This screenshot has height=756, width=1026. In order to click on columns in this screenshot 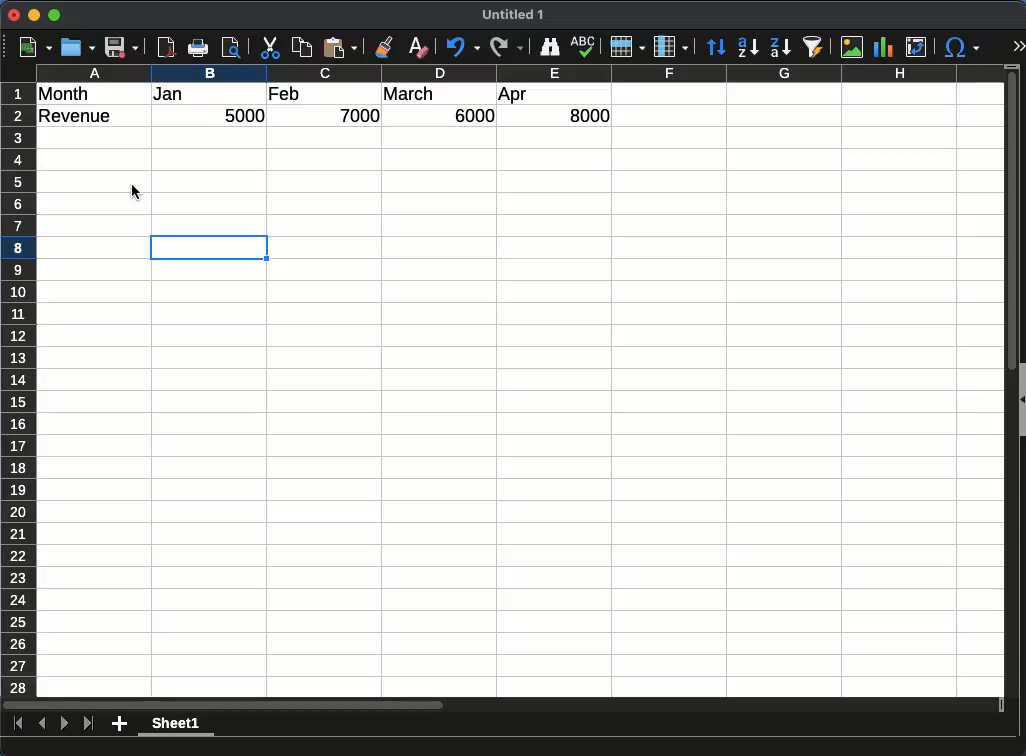, I will do `click(520, 73)`.